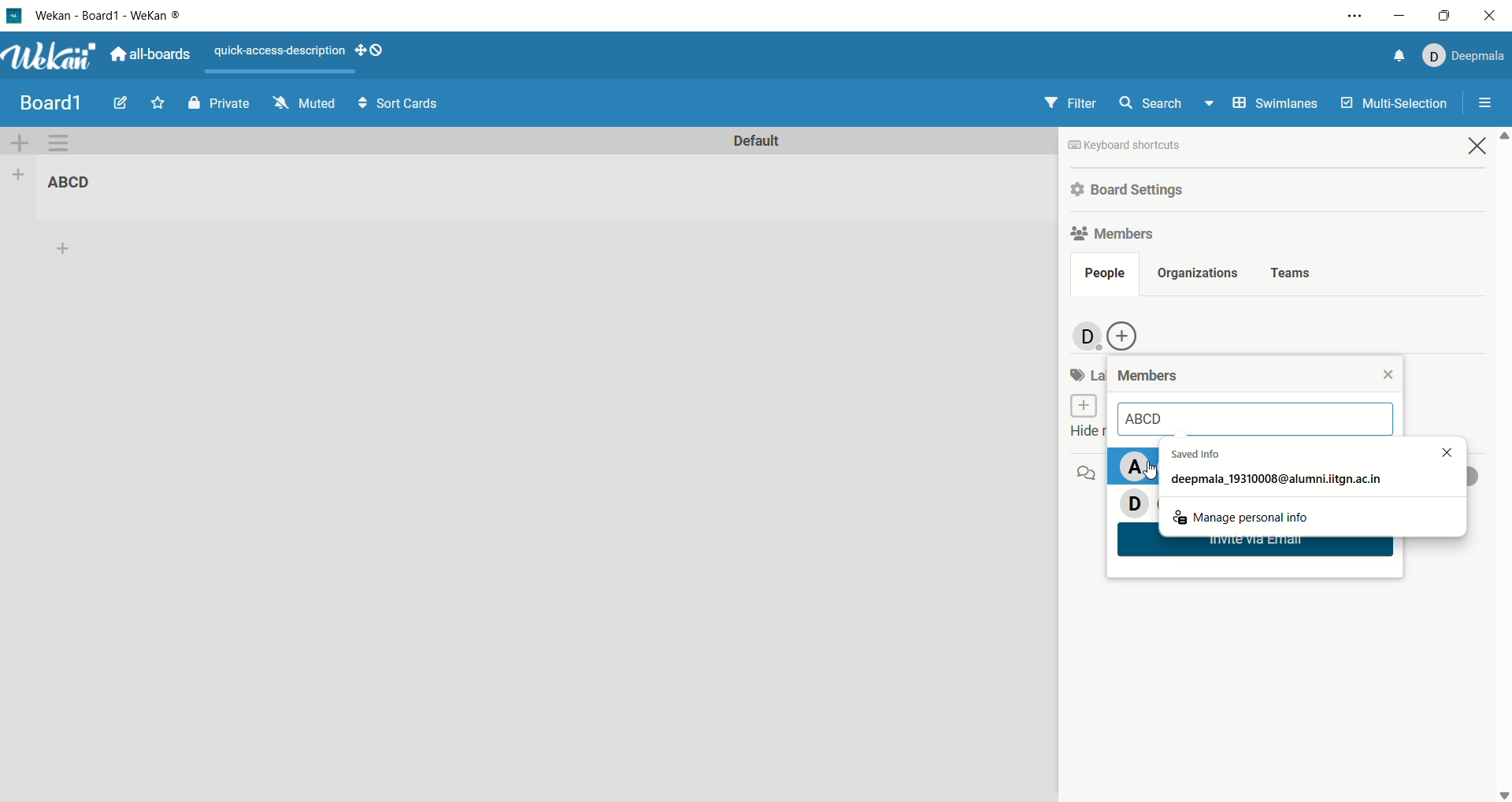 Image resolution: width=1512 pixels, height=802 pixels. I want to click on title, so click(111, 15).